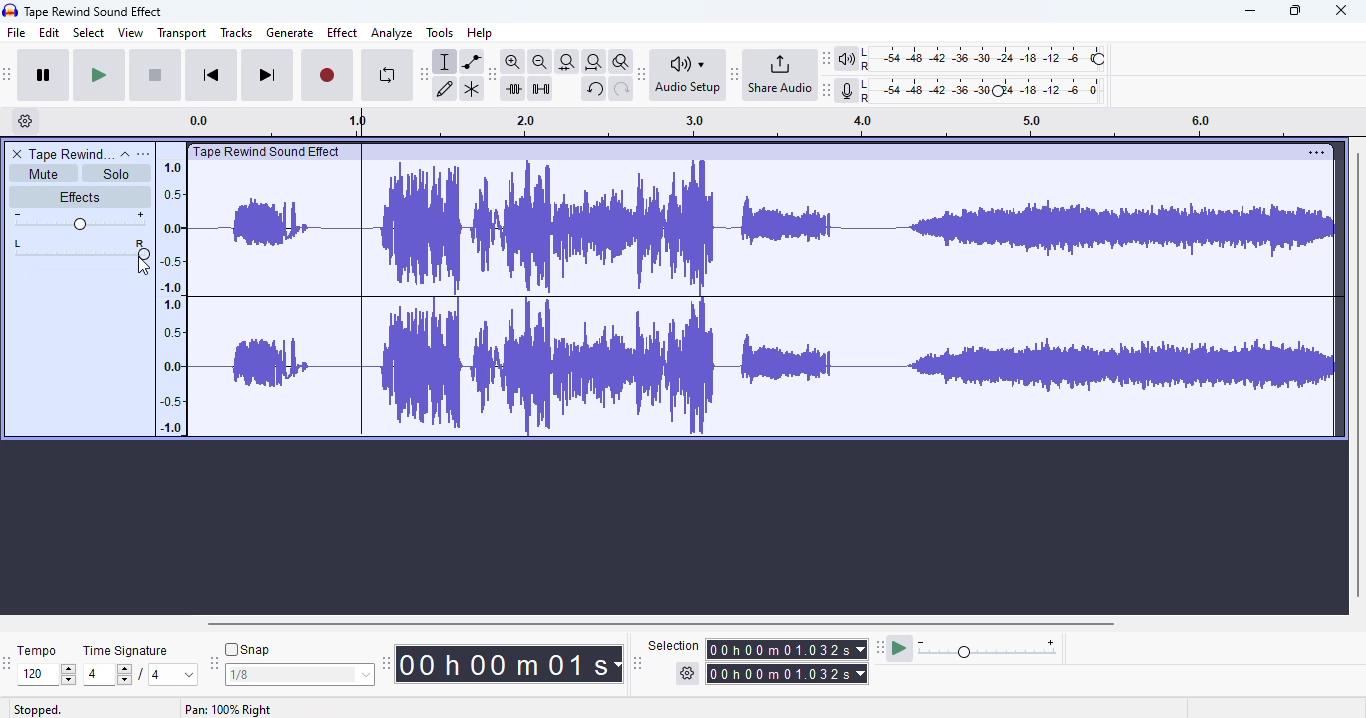 The width and height of the screenshot is (1366, 718). What do you see at coordinates (735, 73) in the screenshot?
I see `audacity share audio toolbar` at bounding box center [735, 73].